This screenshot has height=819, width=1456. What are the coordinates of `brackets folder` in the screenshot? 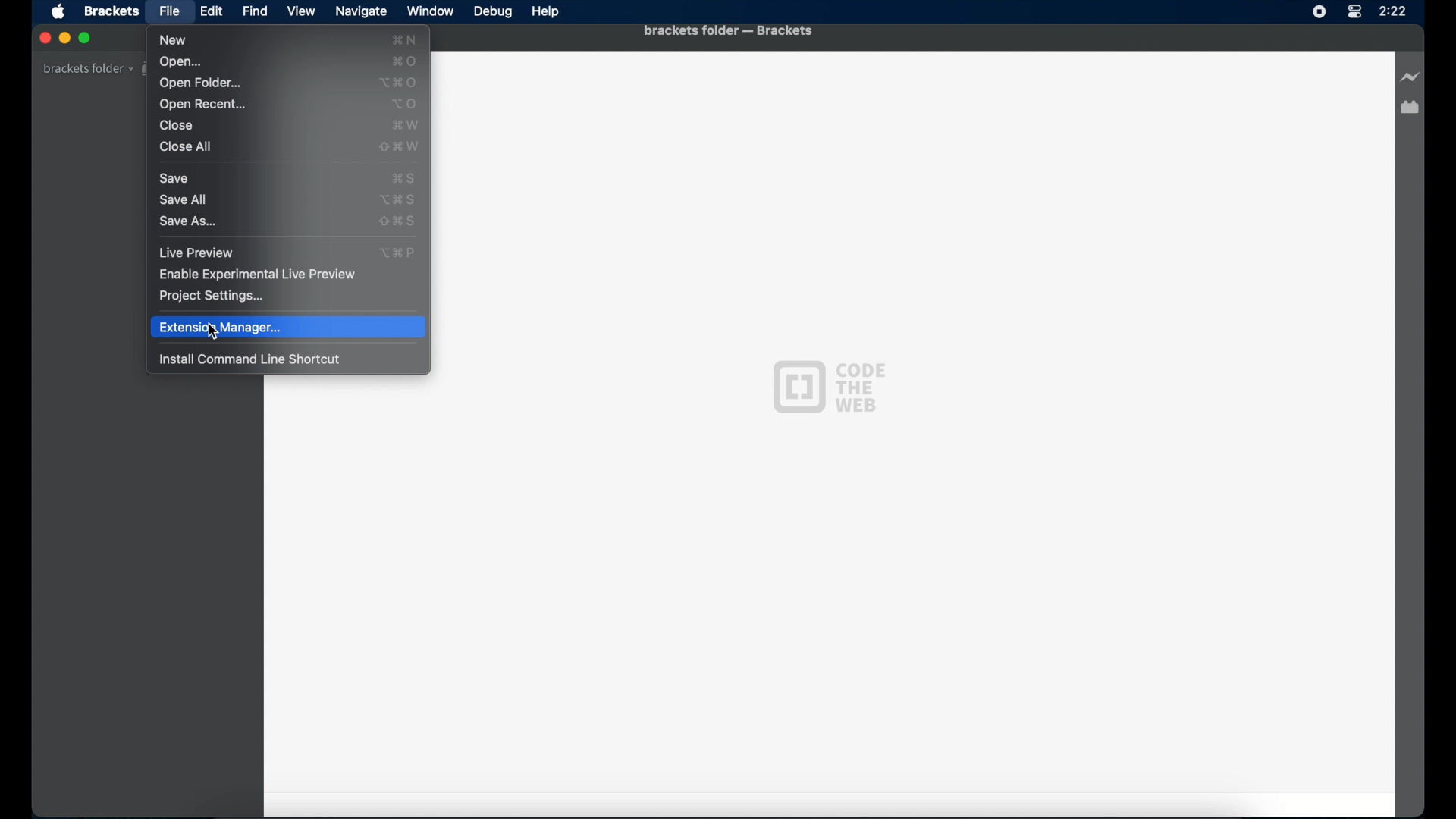 It's located at (87, 68).